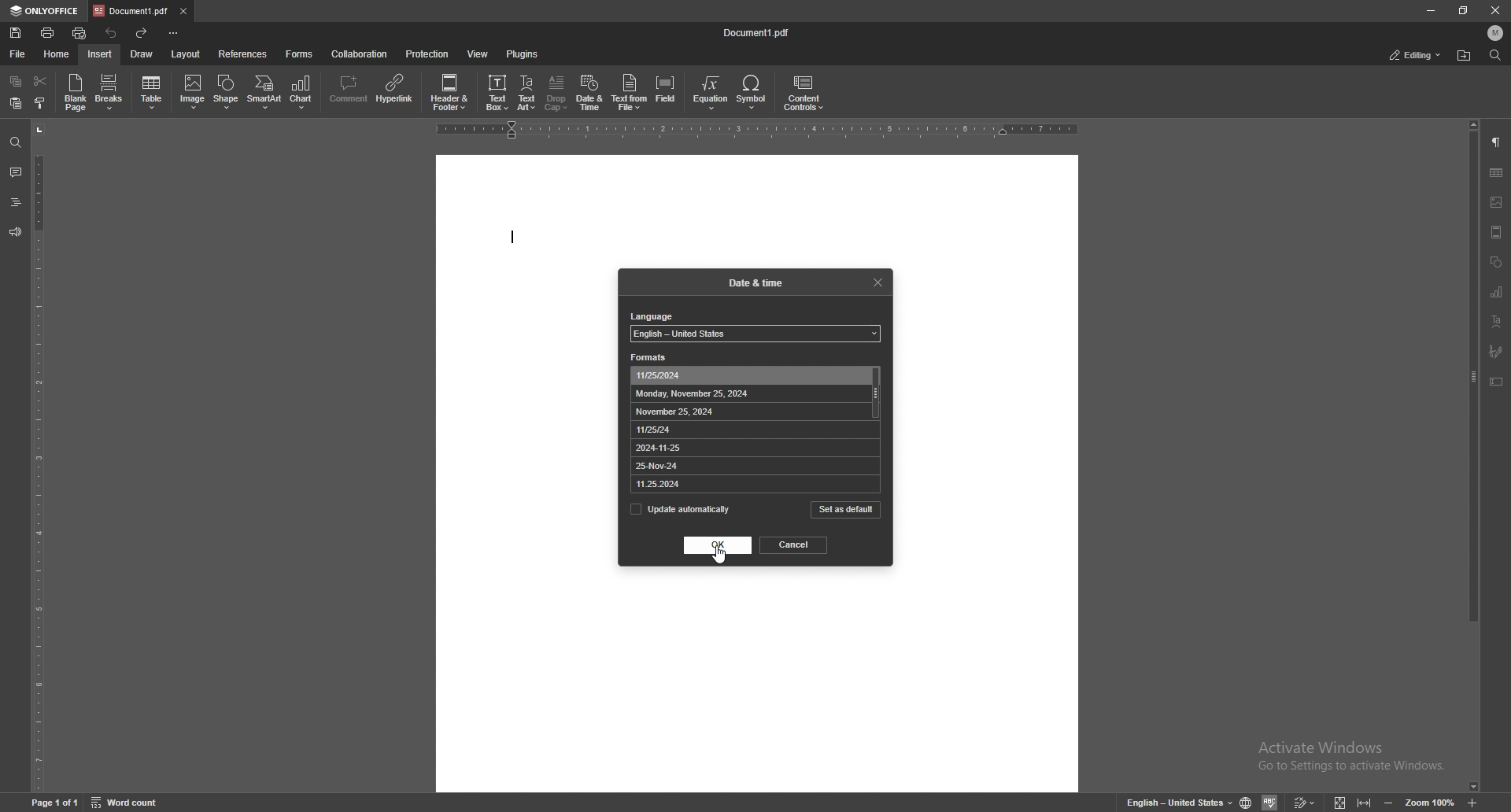  I want to click on forms, so click(299, 54).